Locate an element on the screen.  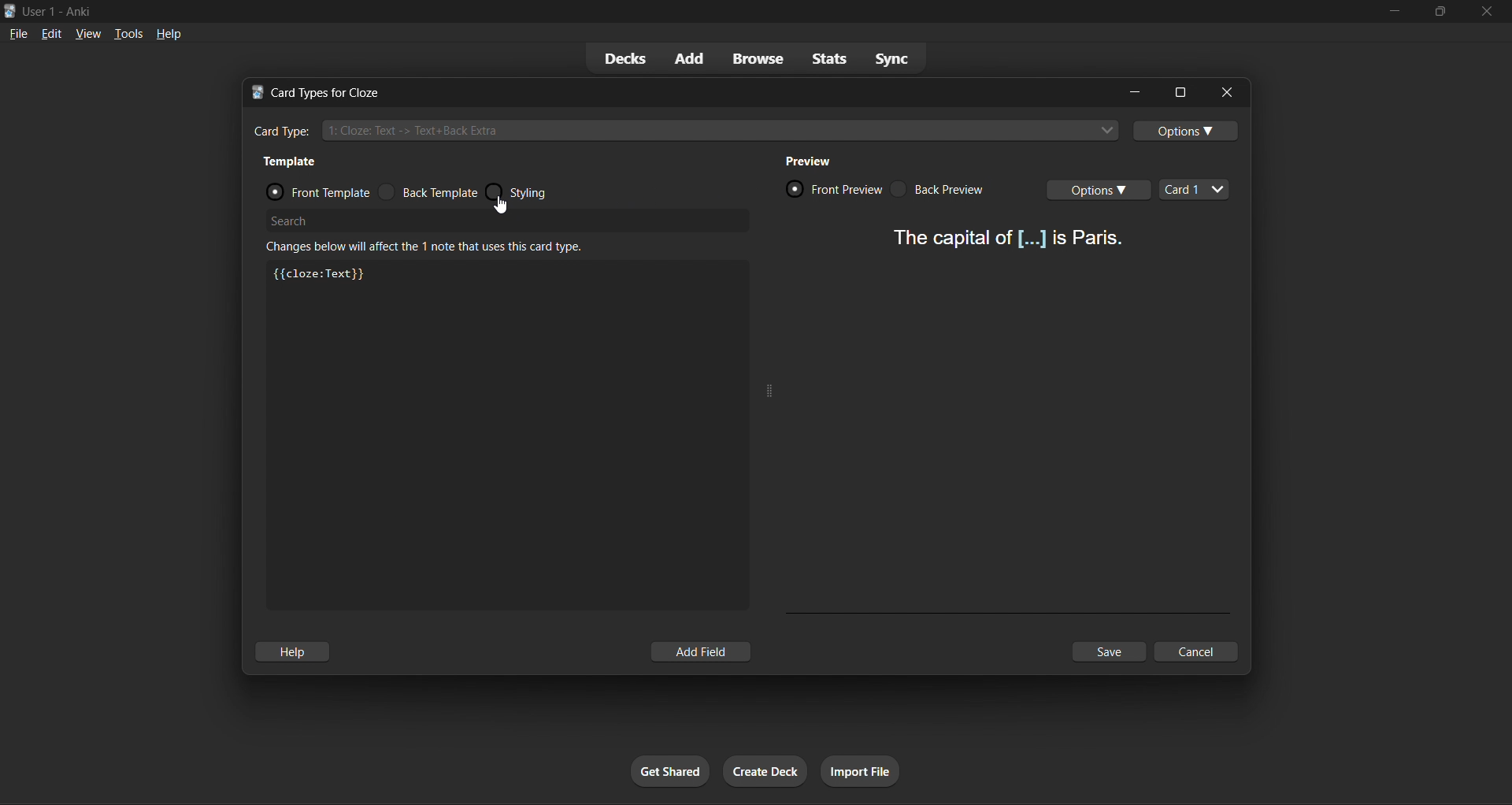
options toggle is located at coordinates (1187, 133).